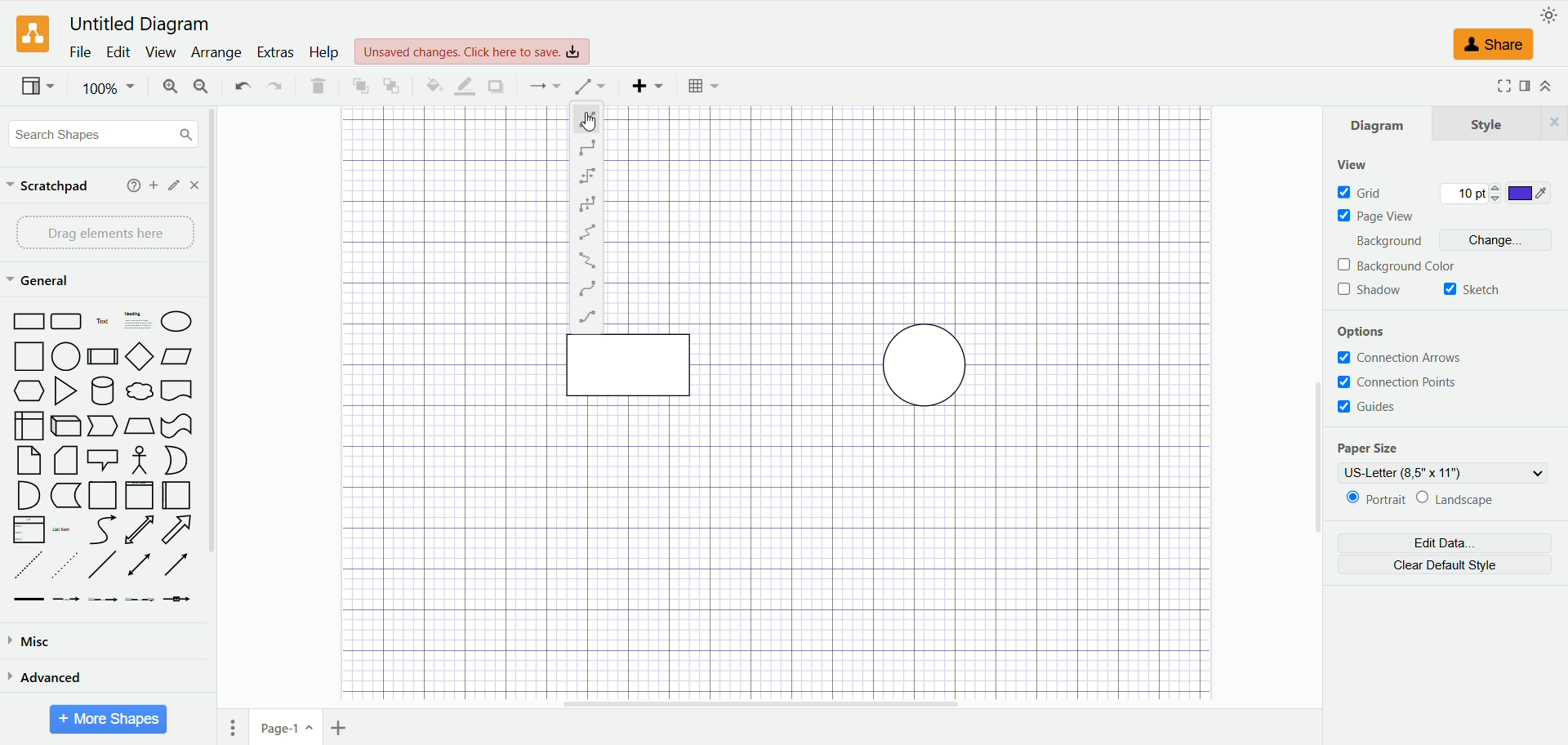  I want to click on search shapes, so click(100, 134).